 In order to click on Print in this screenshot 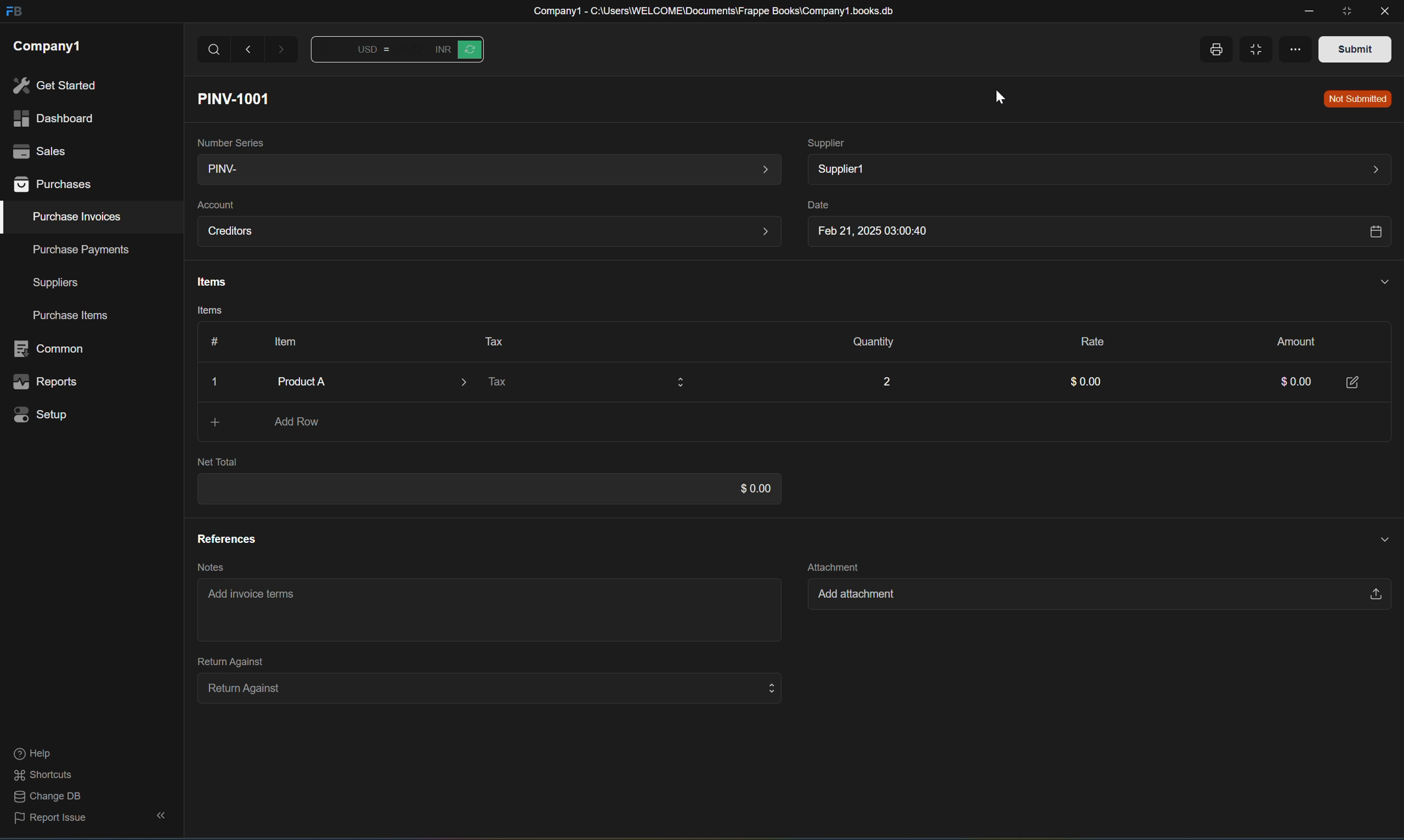, I will do `click(1215, 50)`.